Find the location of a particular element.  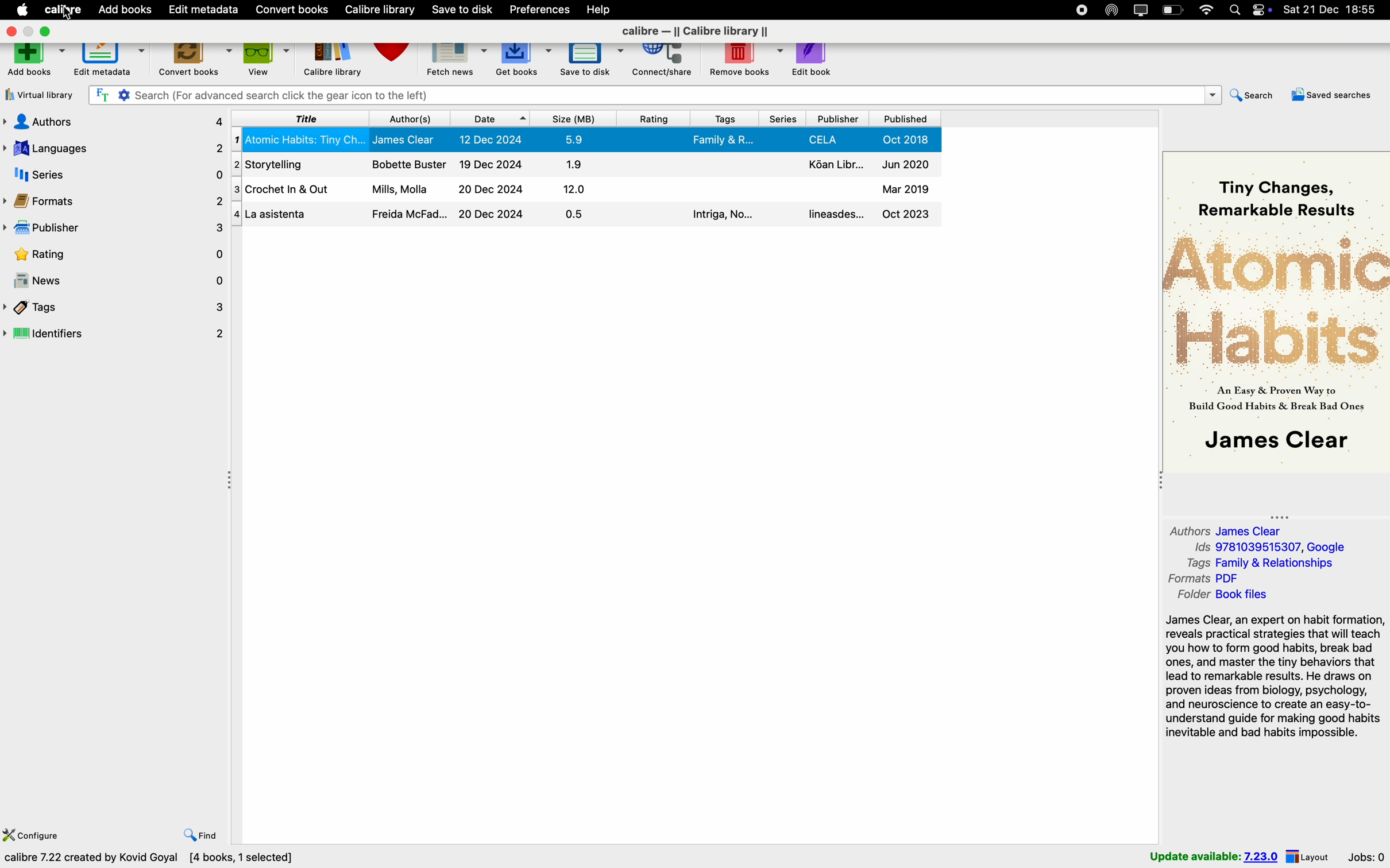

controls is located at coordinates (1265, 10).